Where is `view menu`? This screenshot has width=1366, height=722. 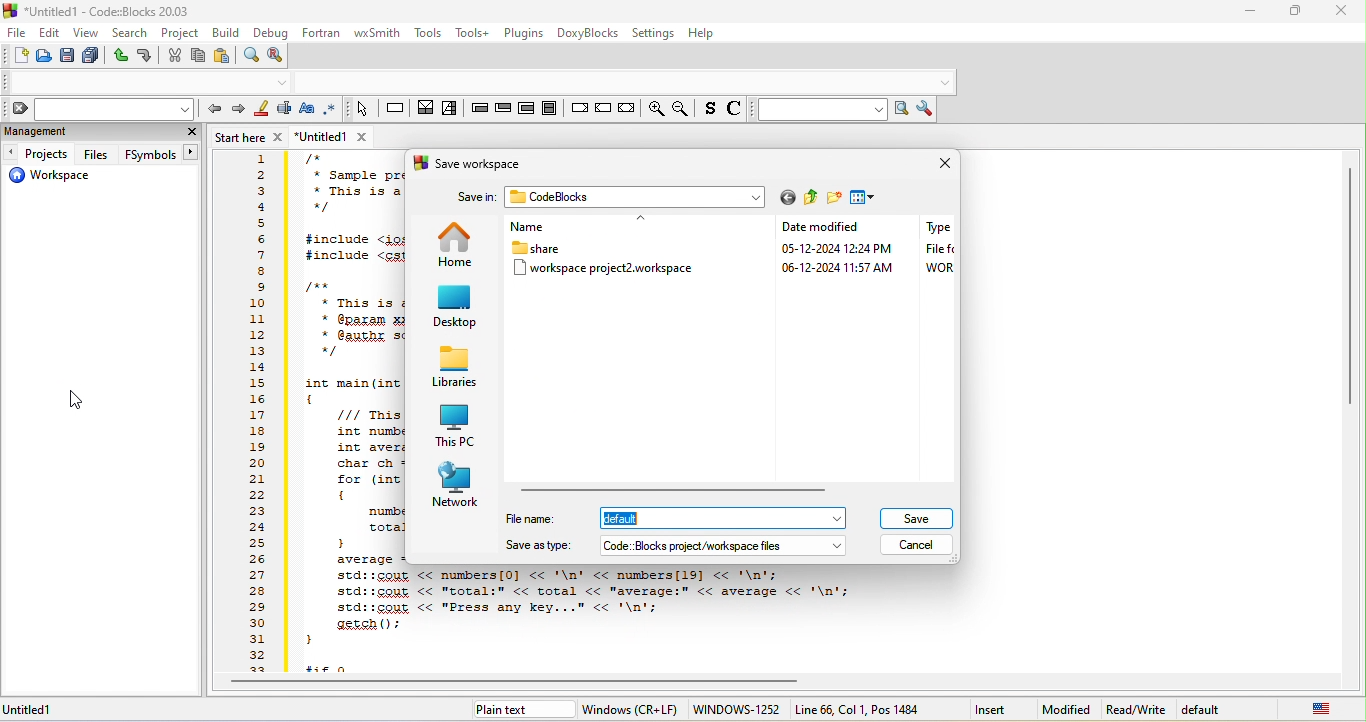 view menu is located at coordinates (864, 198).